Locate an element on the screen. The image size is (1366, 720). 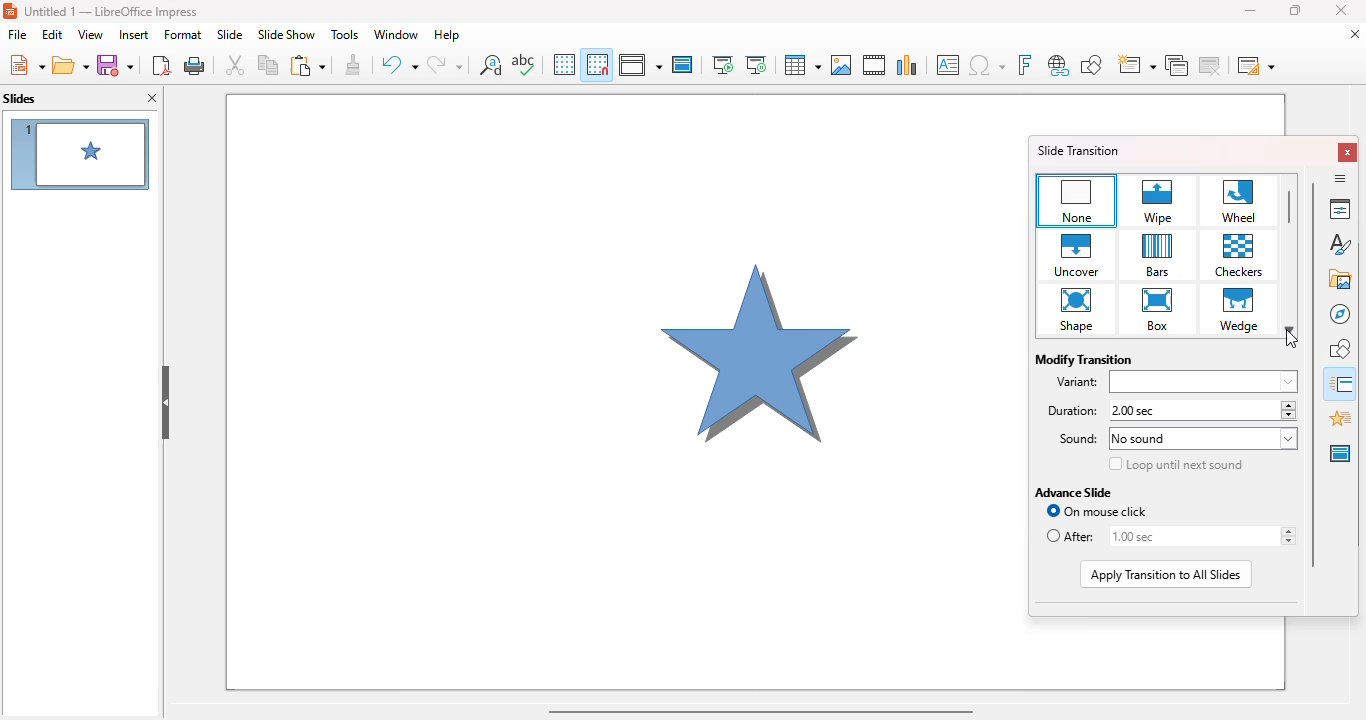
new is located at coordinates (25, 64).